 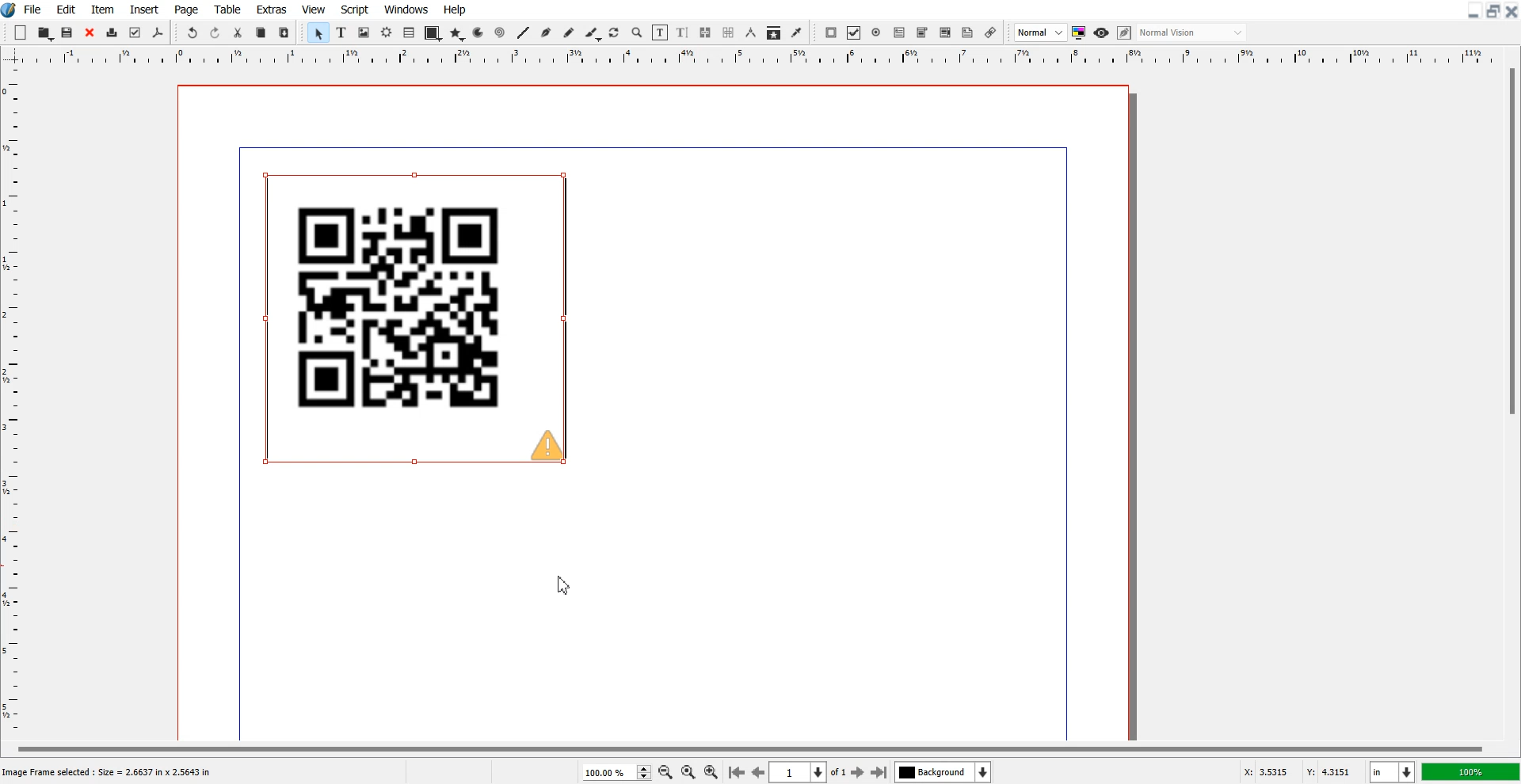 I want to click on Minimize, so click(x=1472, y=11).